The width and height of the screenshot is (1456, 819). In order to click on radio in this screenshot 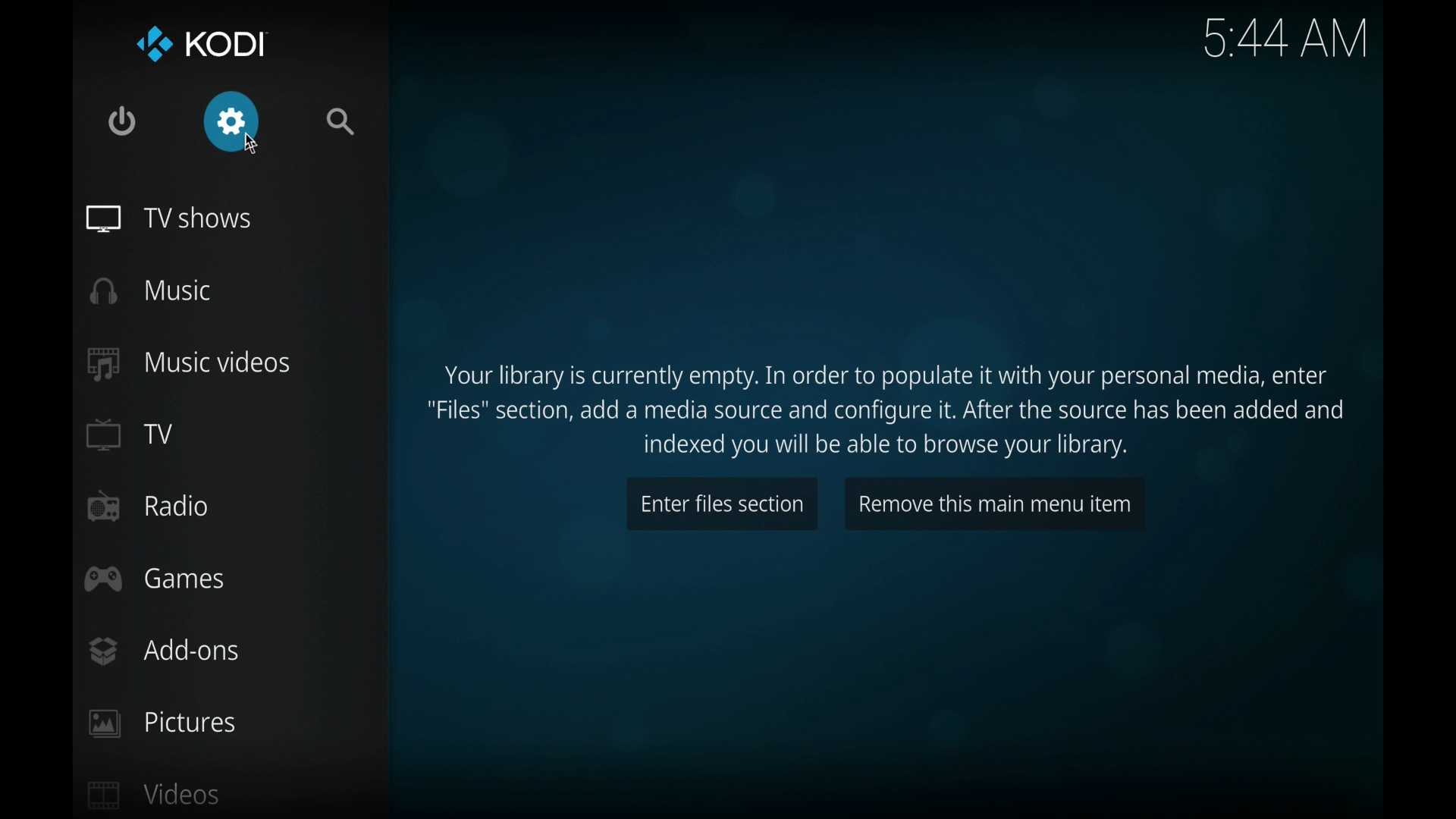, I will do `click(146, 506)`.